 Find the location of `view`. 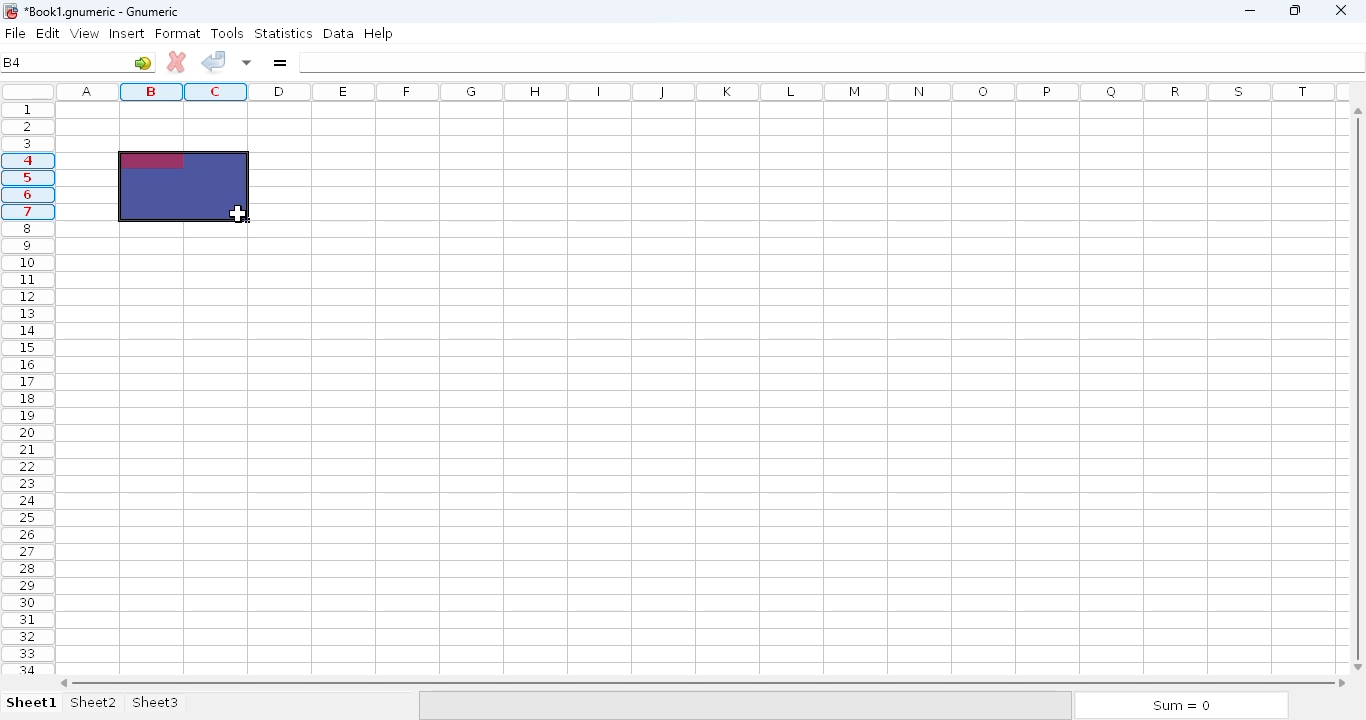

view is located at coordinates (84, 34).